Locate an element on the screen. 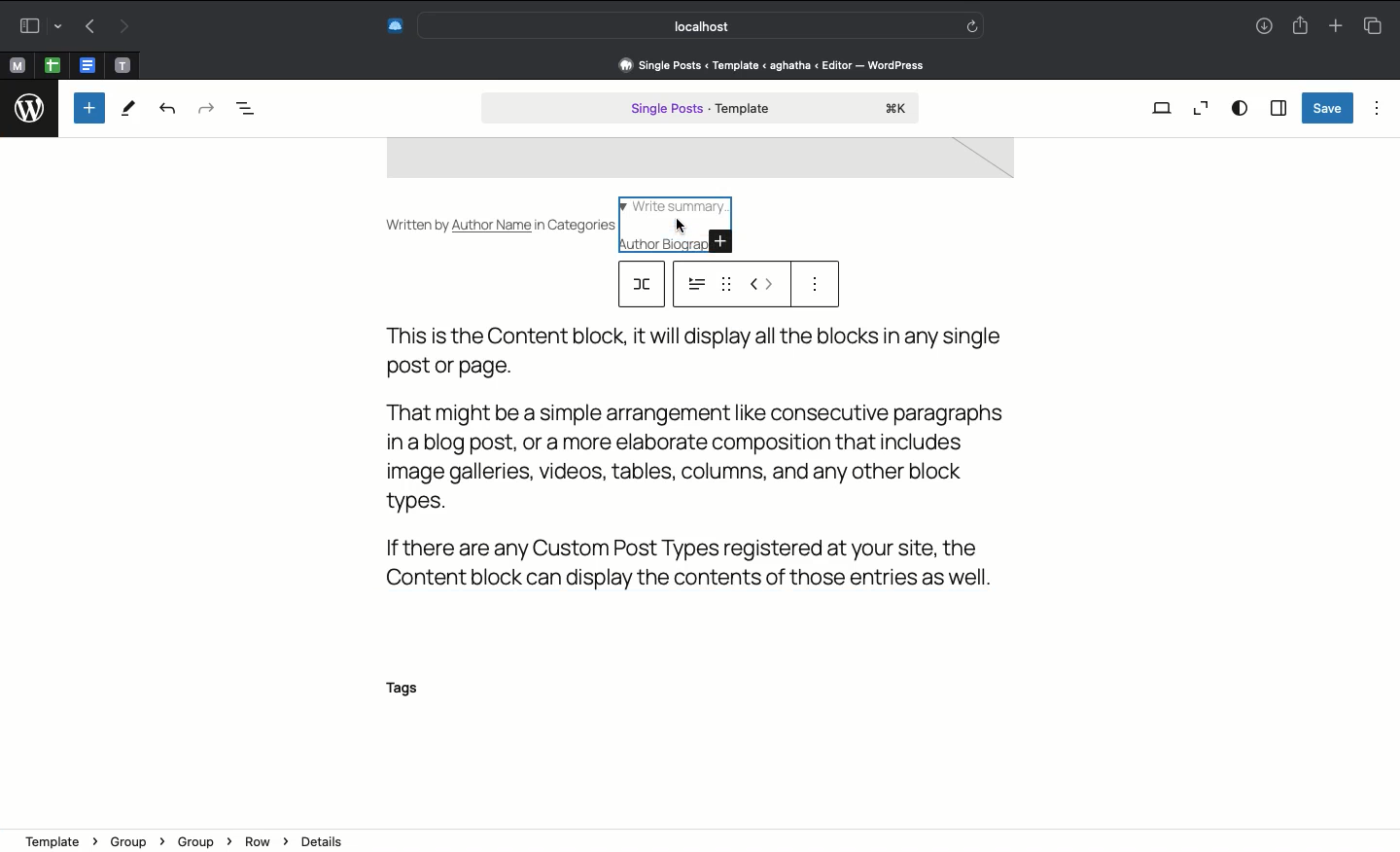 The width and height of the screenshot is (1400, 852). New tab is located at coordinates (1336, 27).